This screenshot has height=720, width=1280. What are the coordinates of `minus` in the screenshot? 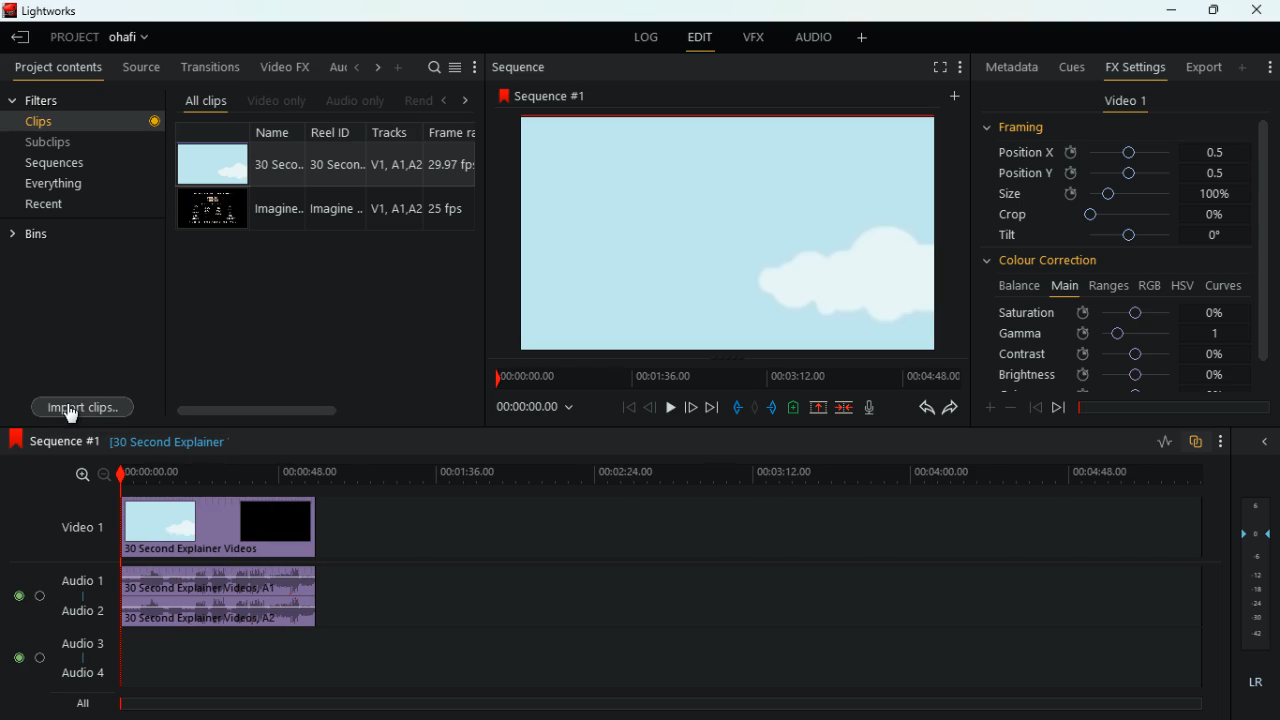 It's located at (1011, 407).